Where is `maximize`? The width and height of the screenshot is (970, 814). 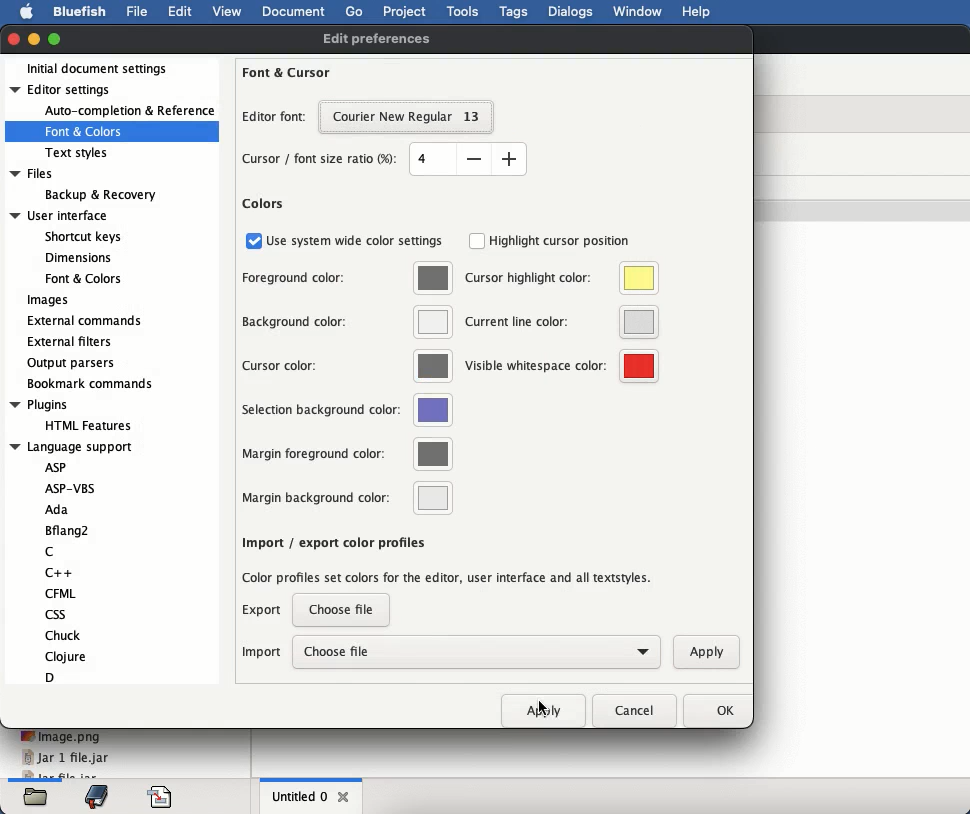 maximize is located at coordinates (56, 37).